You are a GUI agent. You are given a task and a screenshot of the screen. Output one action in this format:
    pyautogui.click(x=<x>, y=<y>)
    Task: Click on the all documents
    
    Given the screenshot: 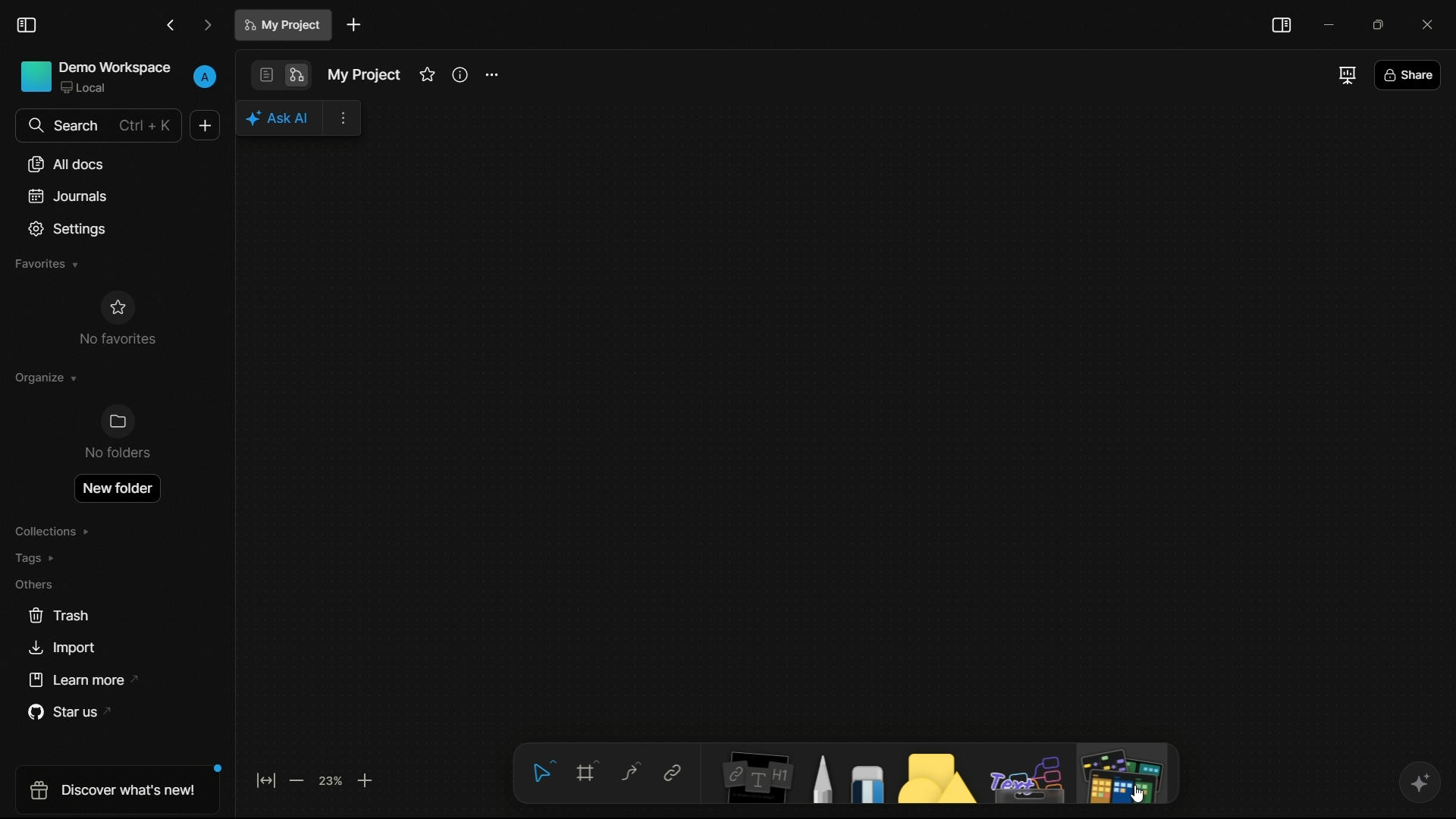 What is the action you would take?
    pyautogui.click(x=67, y=164)
    